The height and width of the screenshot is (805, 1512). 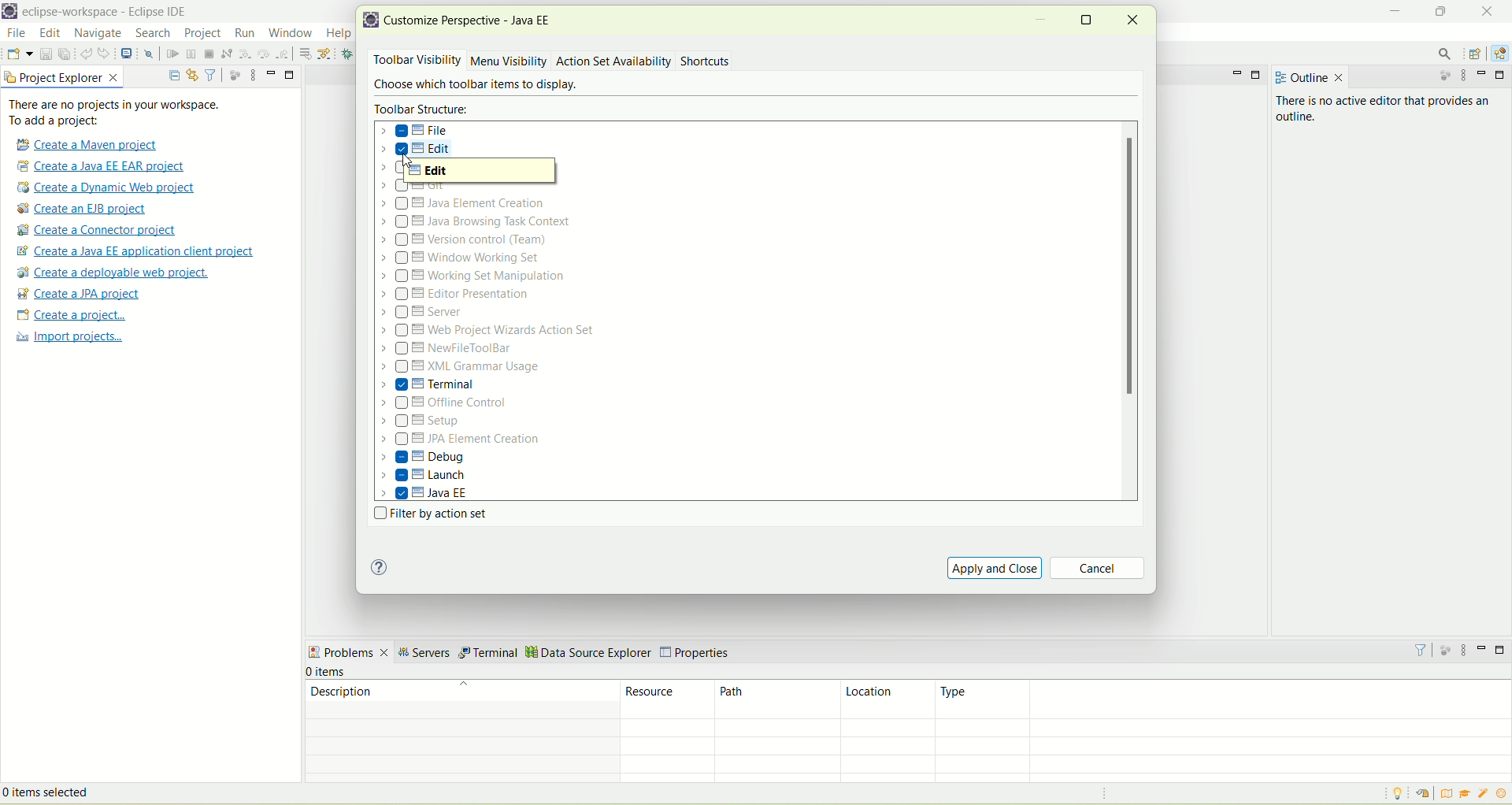 What do you see at coordinates (469, 239) in the screenshot?
I see `version control` at bounding box center [469, 239].